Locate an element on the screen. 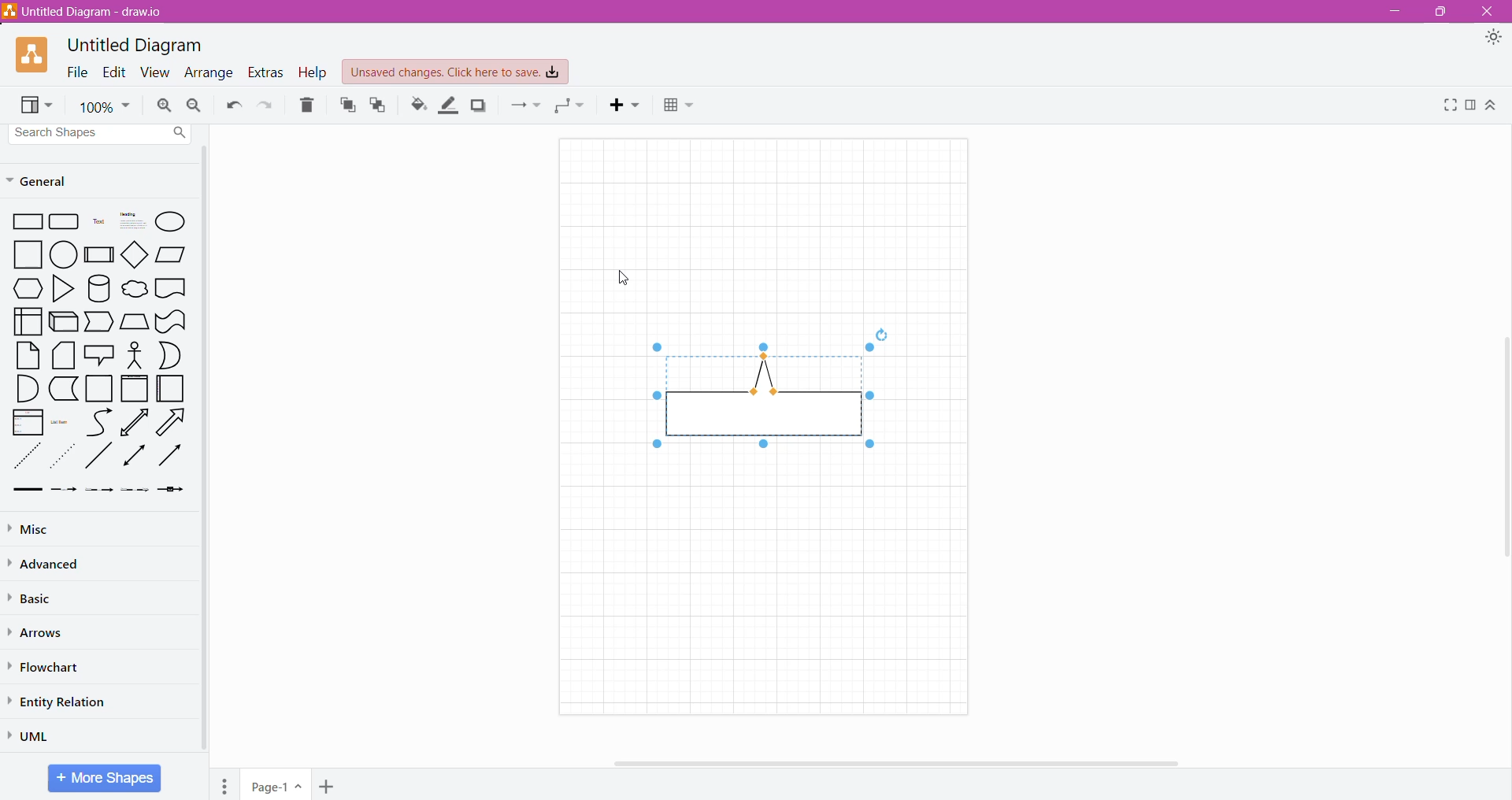  View is located at coordinates (38, 106).